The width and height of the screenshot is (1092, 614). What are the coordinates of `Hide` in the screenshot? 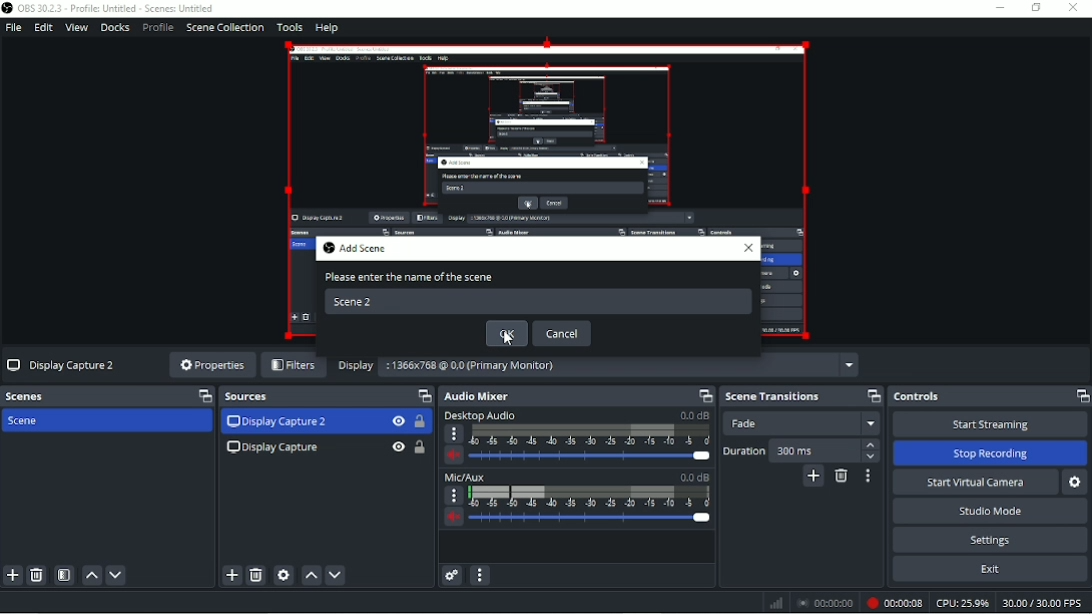 It's located at (399, 421).